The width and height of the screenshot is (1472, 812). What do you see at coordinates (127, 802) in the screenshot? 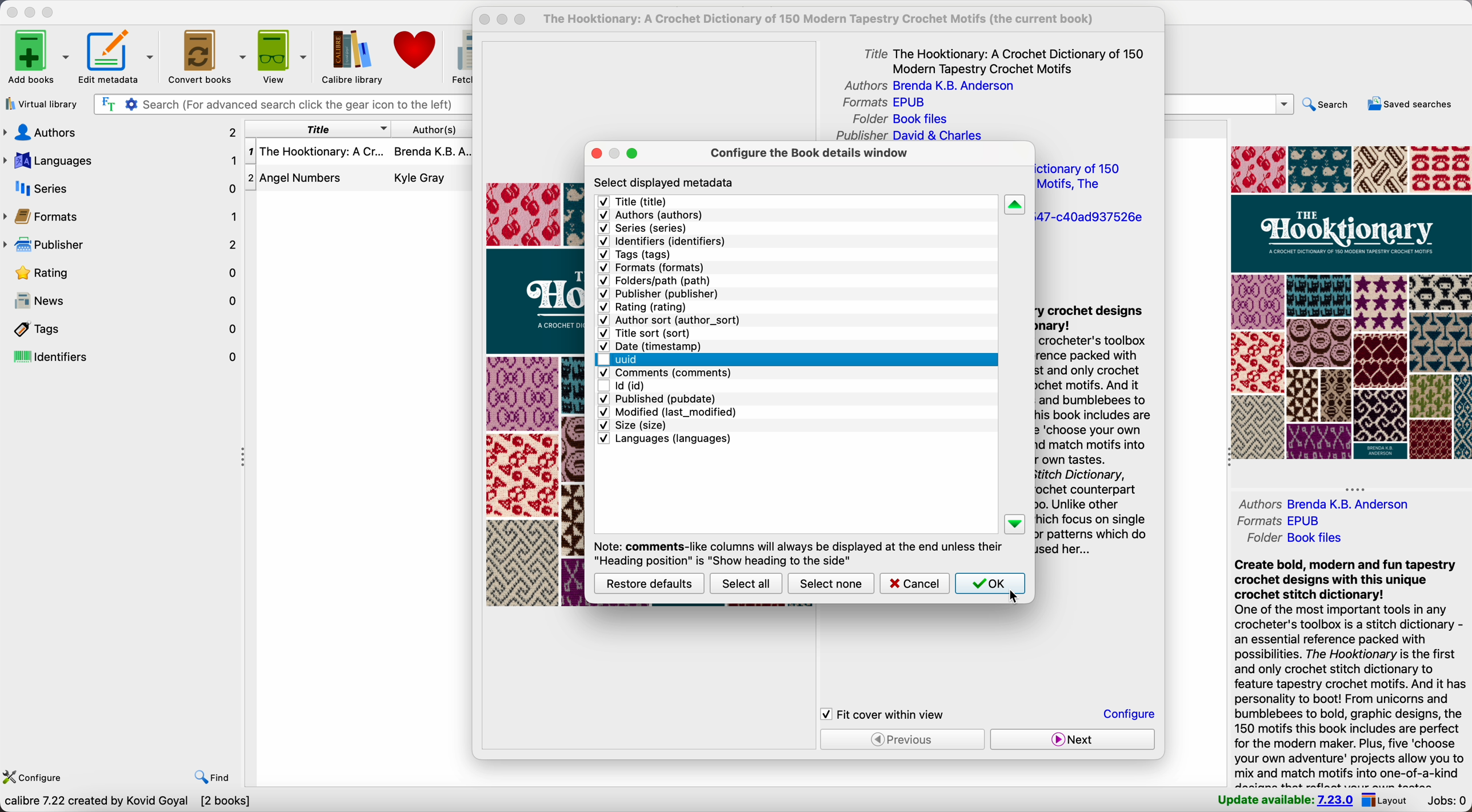
I see `data` at bounding box center [127, 802].